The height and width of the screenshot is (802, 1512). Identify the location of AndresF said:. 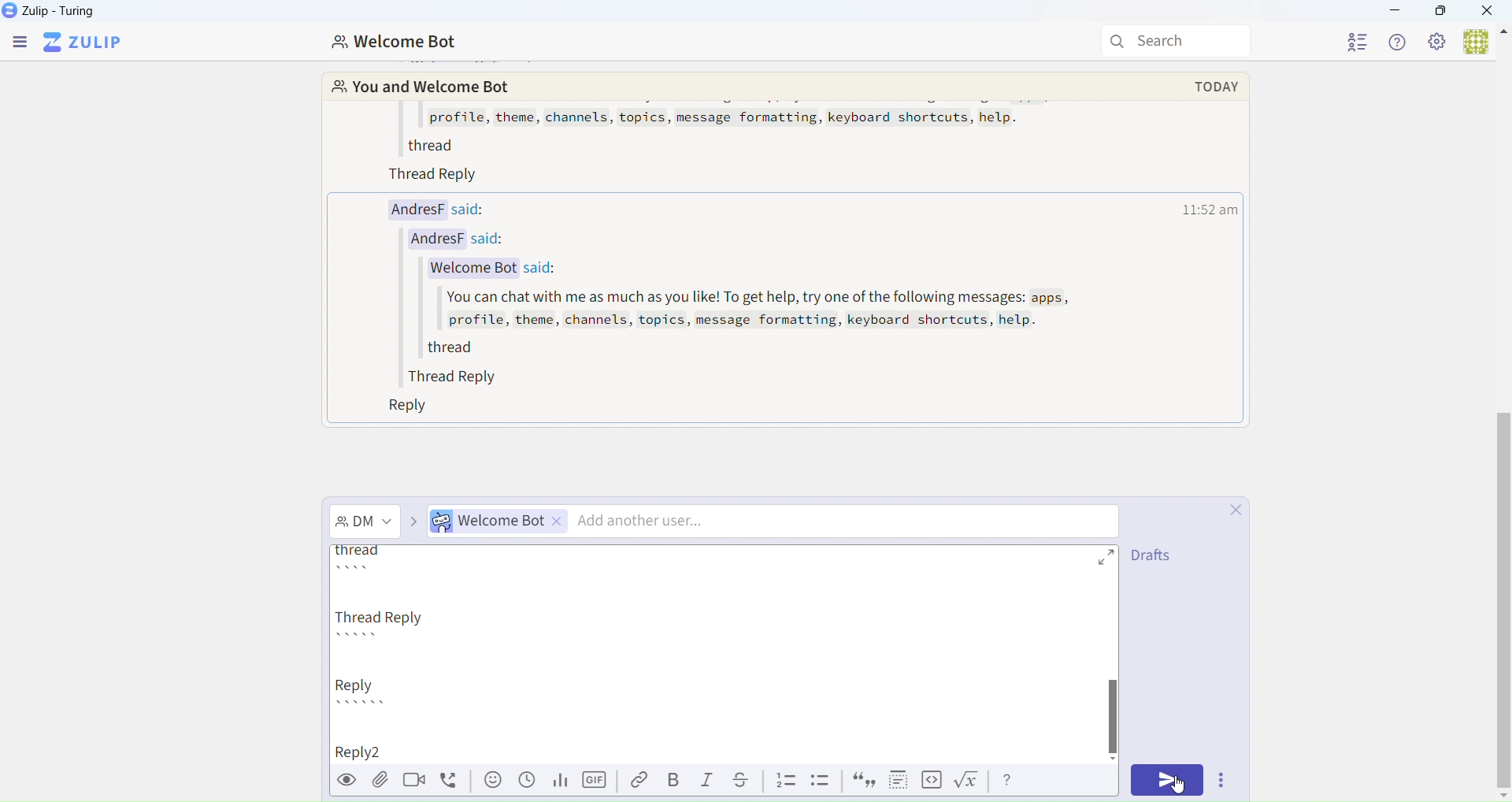
(469, 240).